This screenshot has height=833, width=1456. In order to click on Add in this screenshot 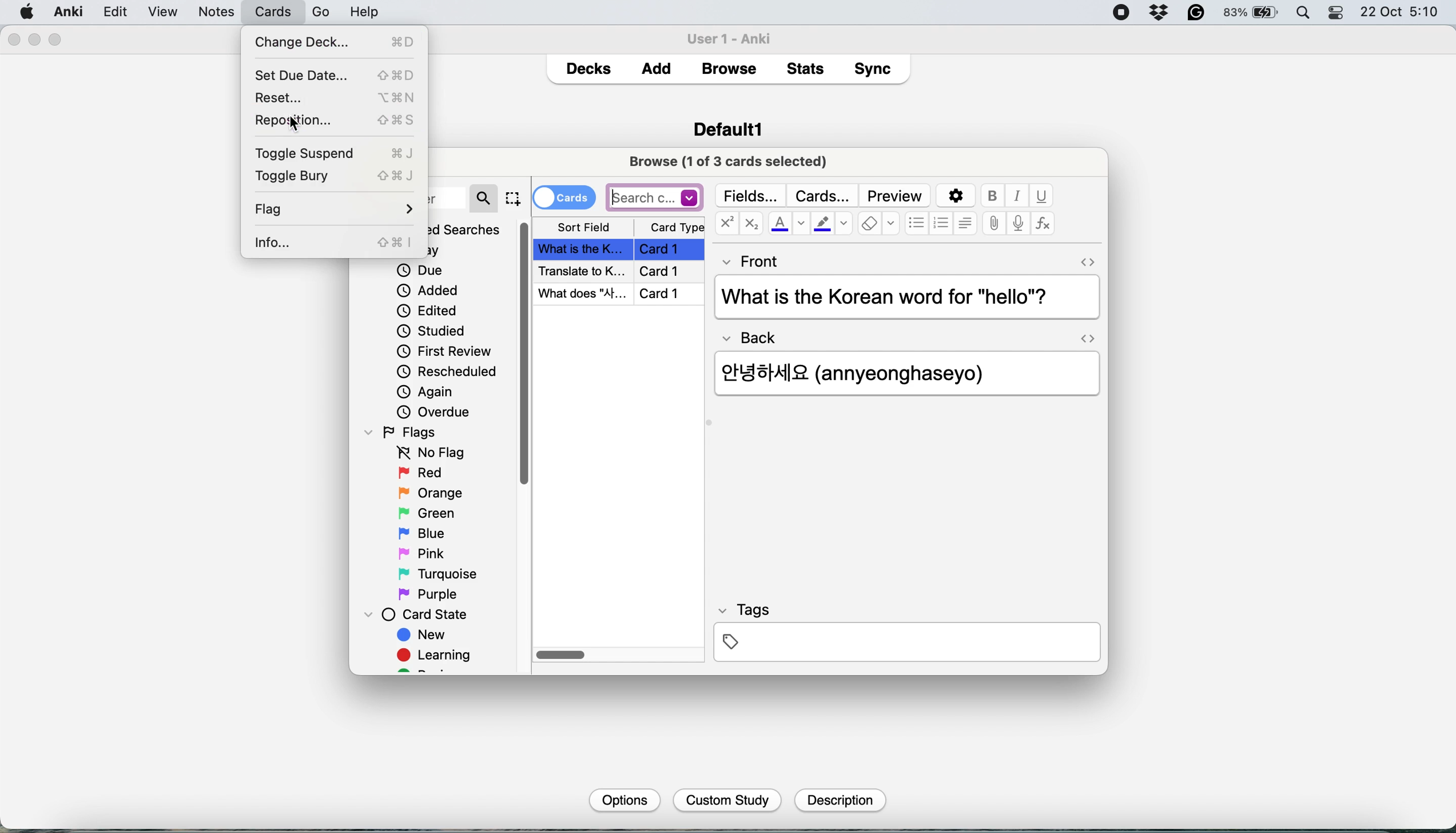, I will do `click(657, 65)`.